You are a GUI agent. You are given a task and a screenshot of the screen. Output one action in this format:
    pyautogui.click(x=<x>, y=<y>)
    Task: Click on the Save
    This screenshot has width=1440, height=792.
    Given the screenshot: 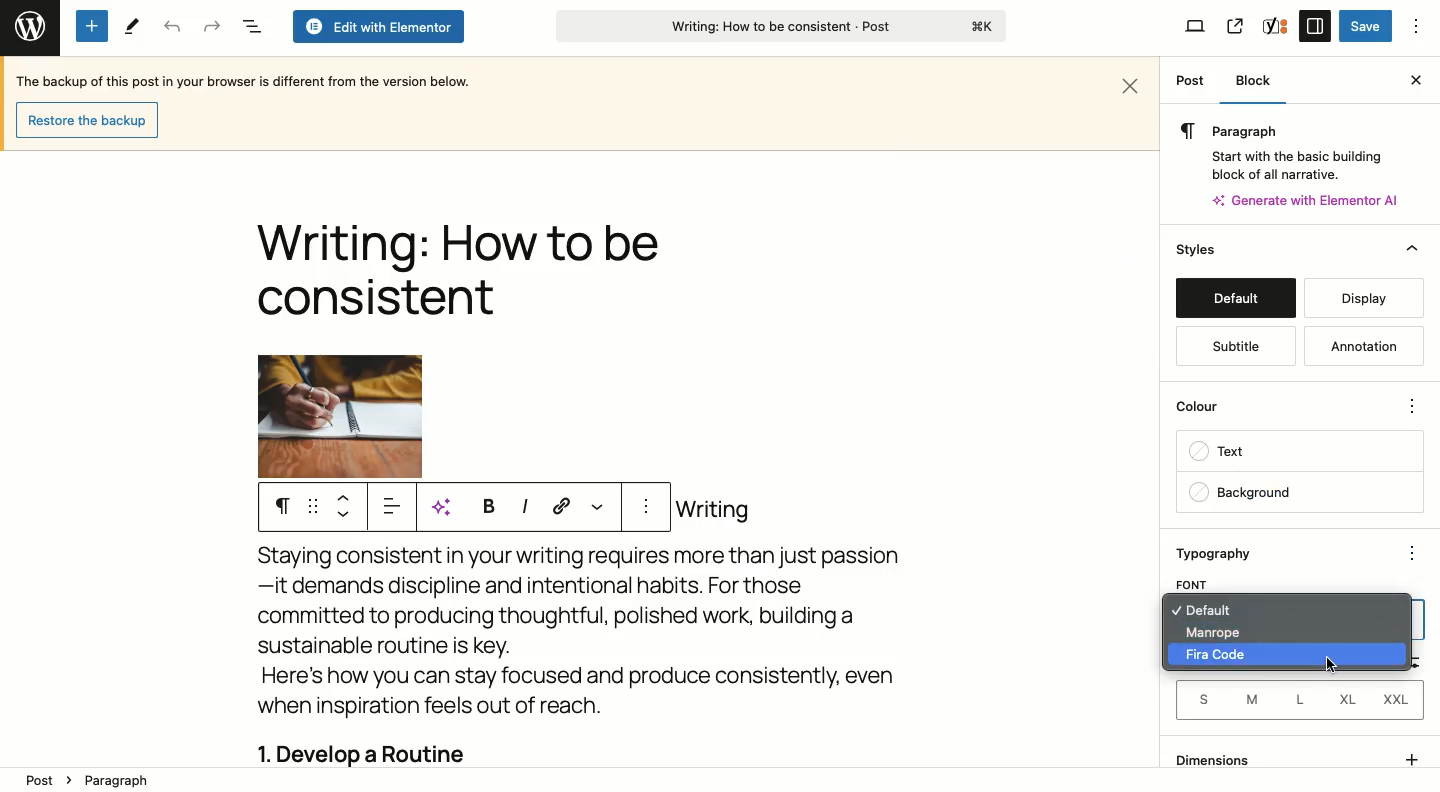 What is the action you would take?
    pyautogui.click(x=1365, y=27)
    